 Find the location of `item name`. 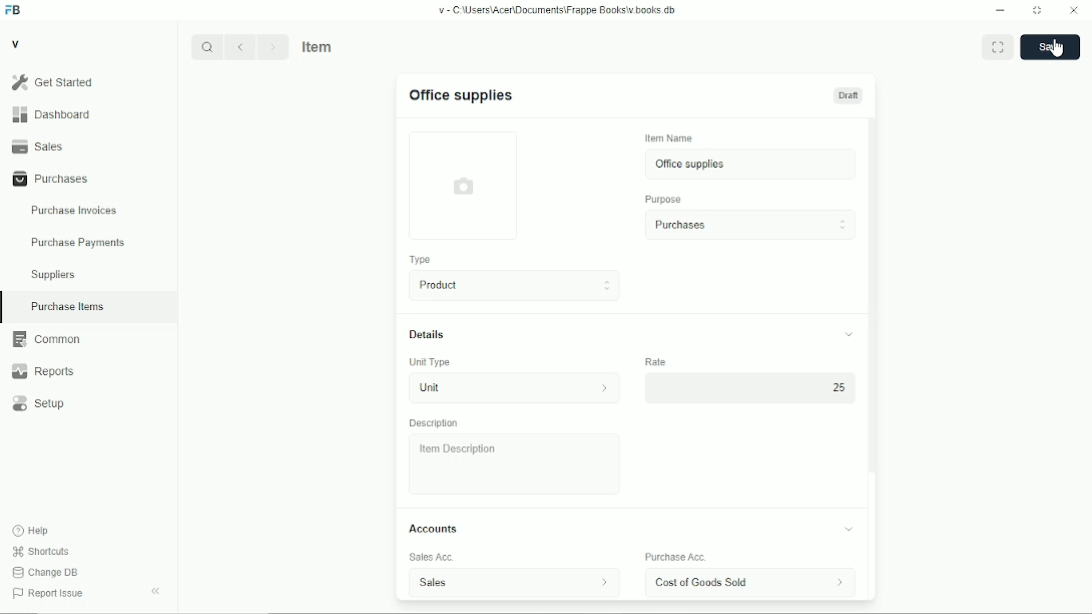

item name is located at coordinates (670, 138).